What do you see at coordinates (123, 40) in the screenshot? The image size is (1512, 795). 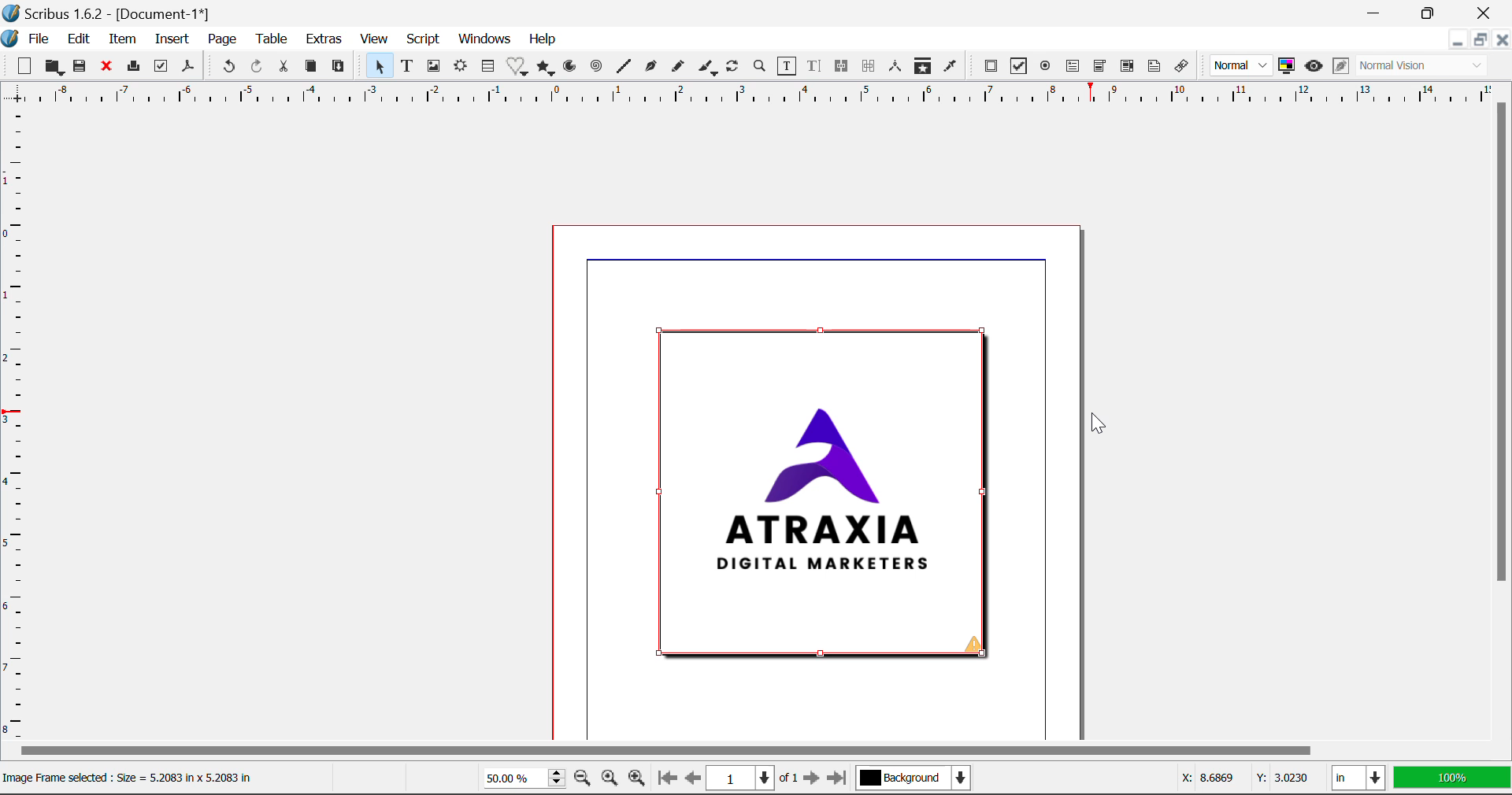 I see `Item` at bounding box center [123, 40].